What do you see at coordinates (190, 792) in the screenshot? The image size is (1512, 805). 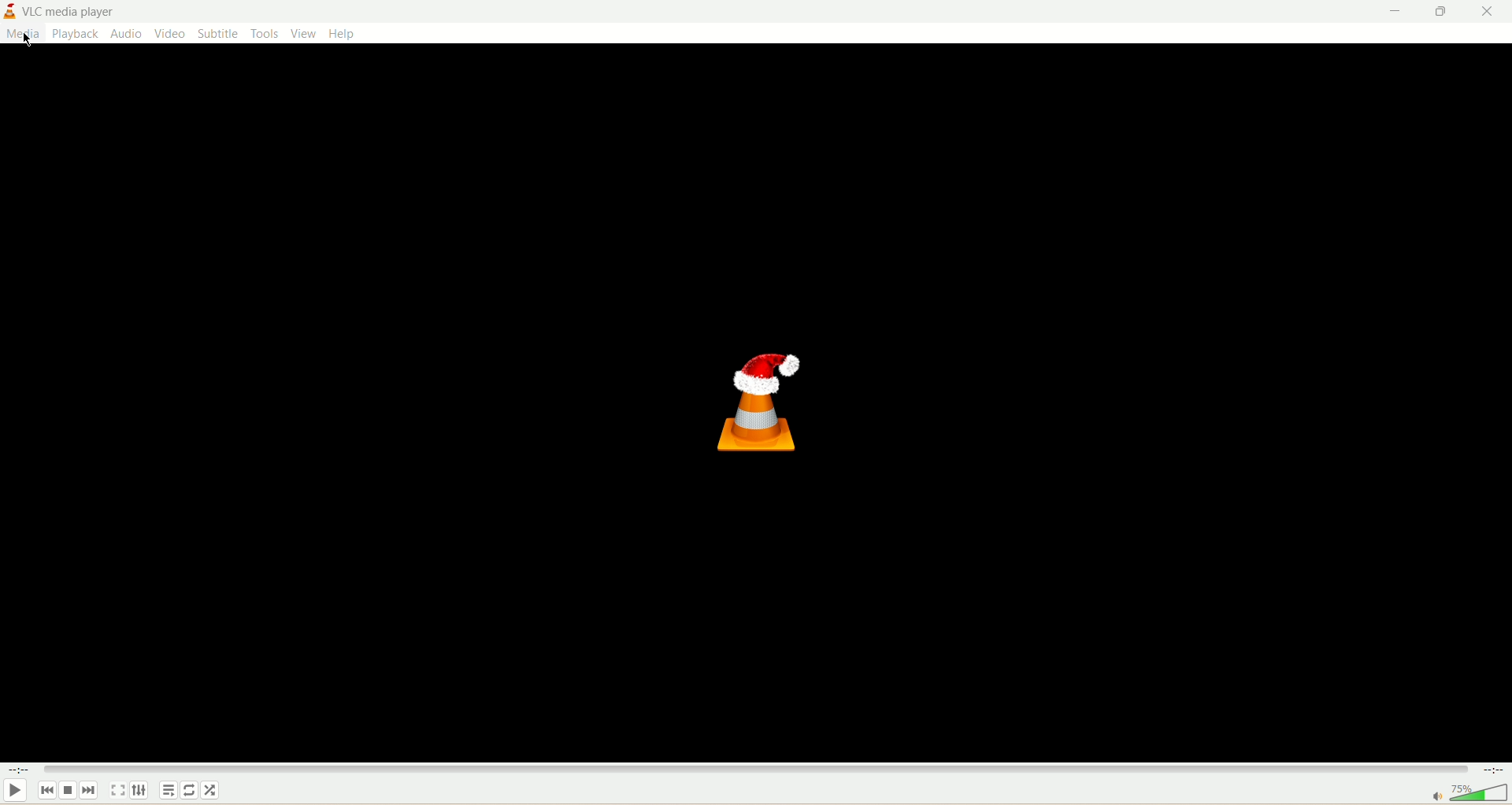 I see `loop` at bounding box center [190, 792].